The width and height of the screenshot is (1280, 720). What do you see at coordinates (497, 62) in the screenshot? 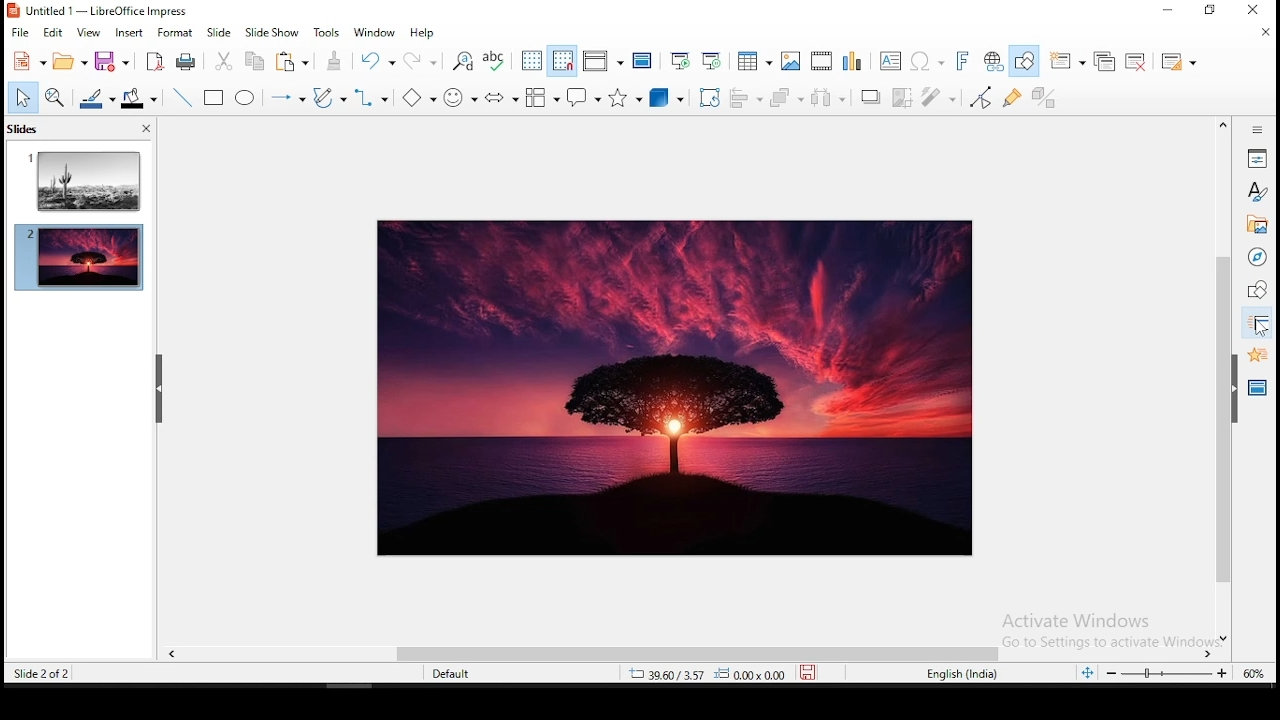
I see `spell check` at bounding box center [497, 62].